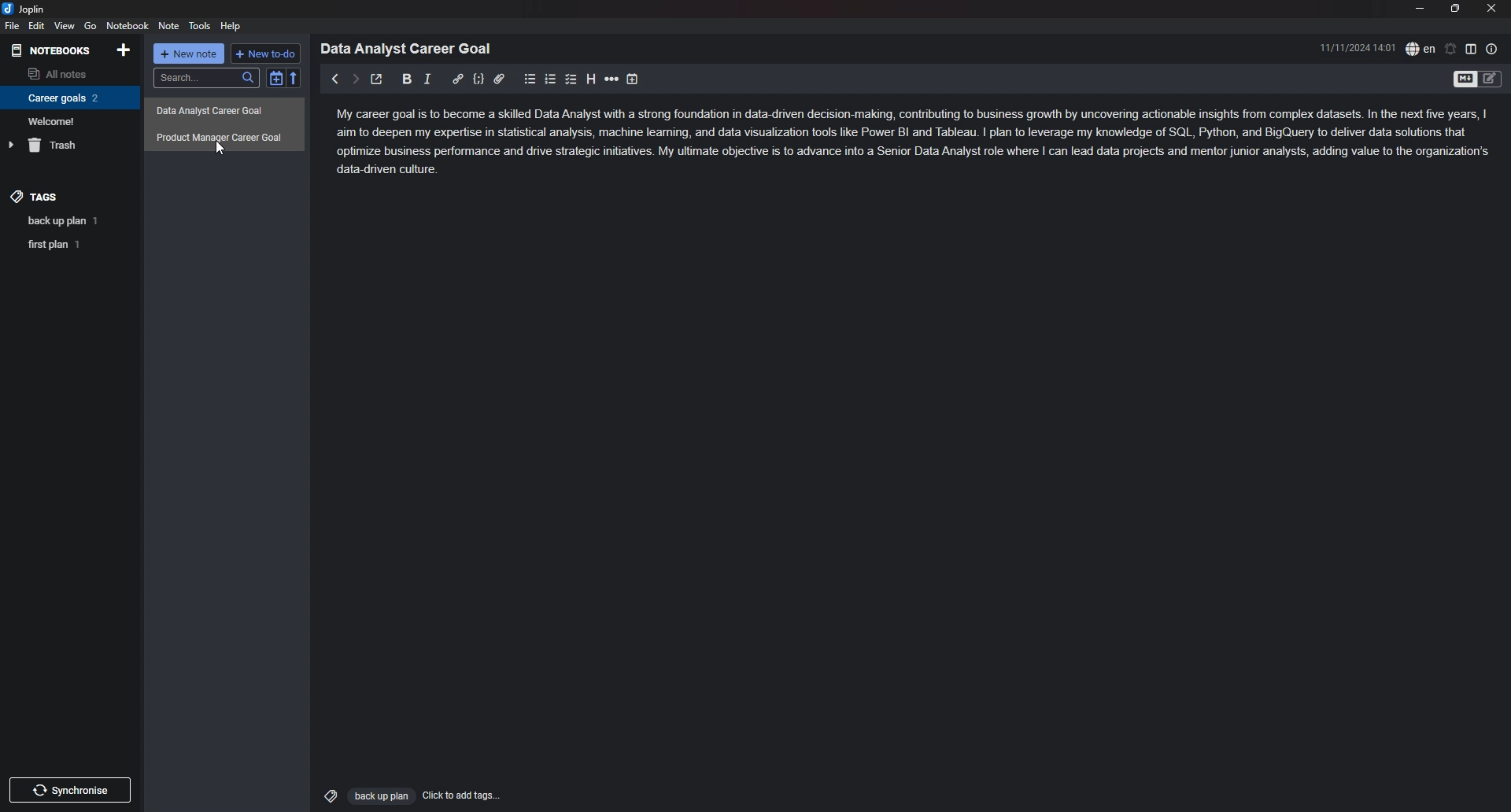  I want to click on close, so click(1491, 8).